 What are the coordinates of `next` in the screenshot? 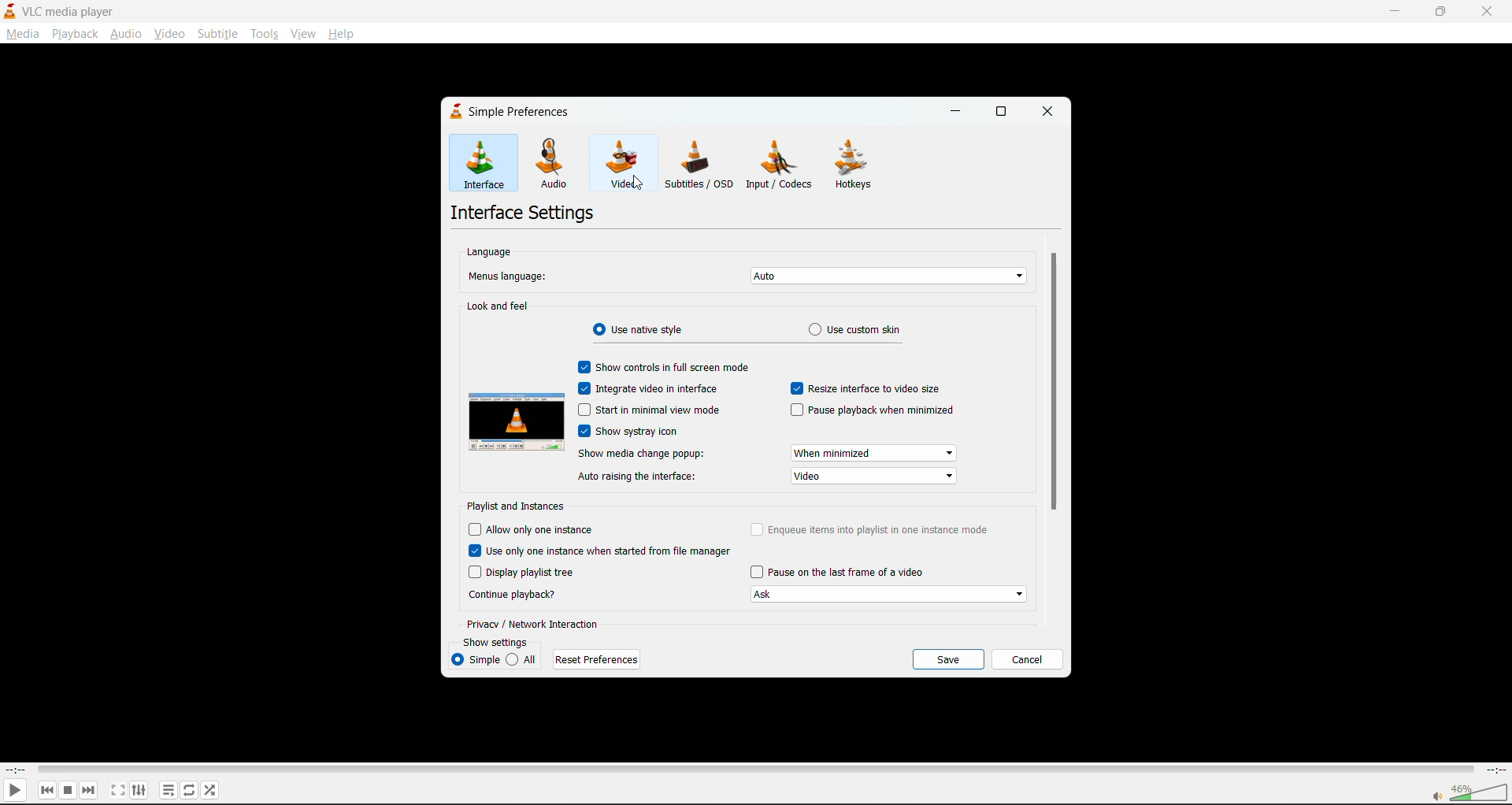 It's located at (92, 789).